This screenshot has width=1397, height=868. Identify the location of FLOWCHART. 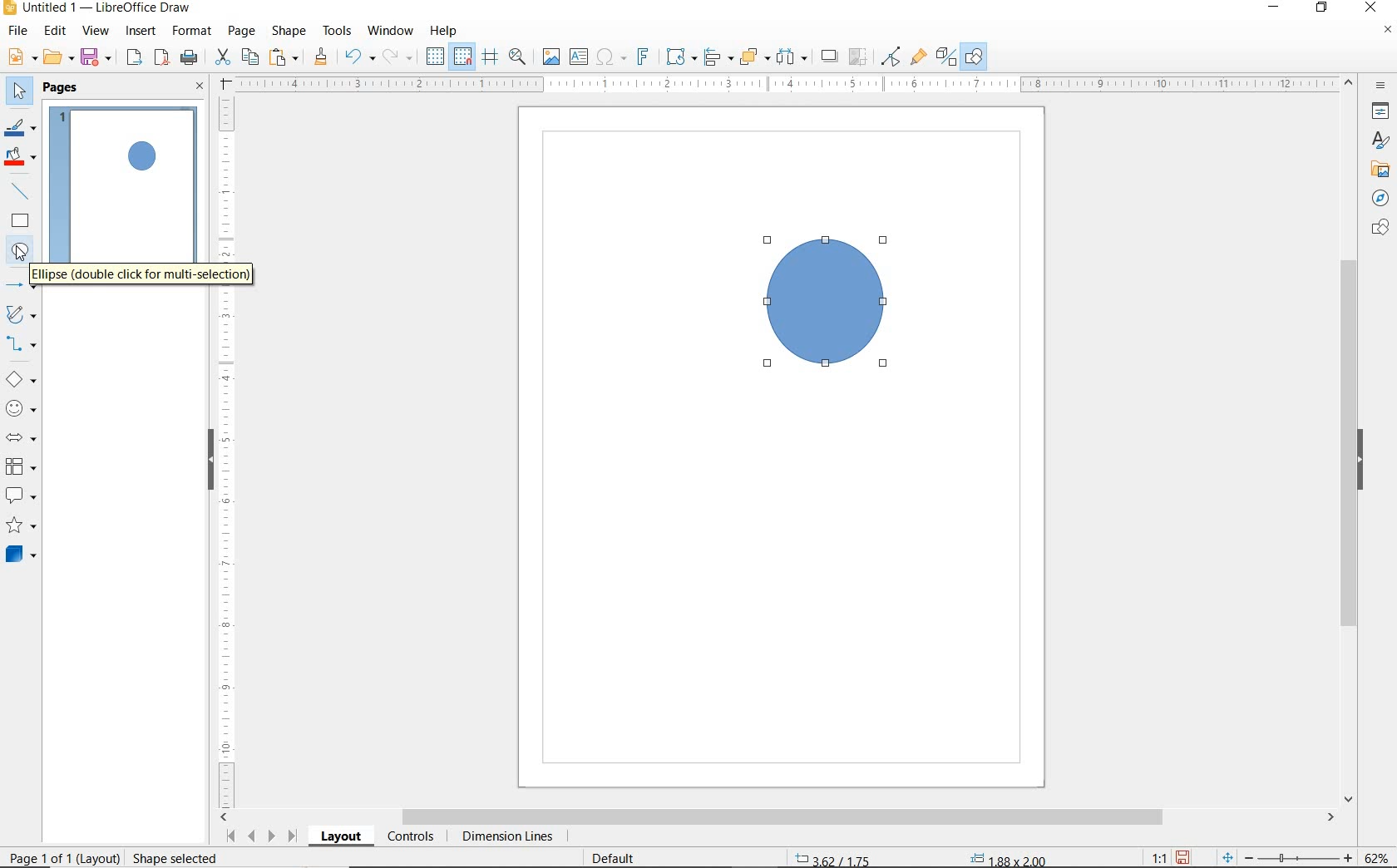
(20, 467).